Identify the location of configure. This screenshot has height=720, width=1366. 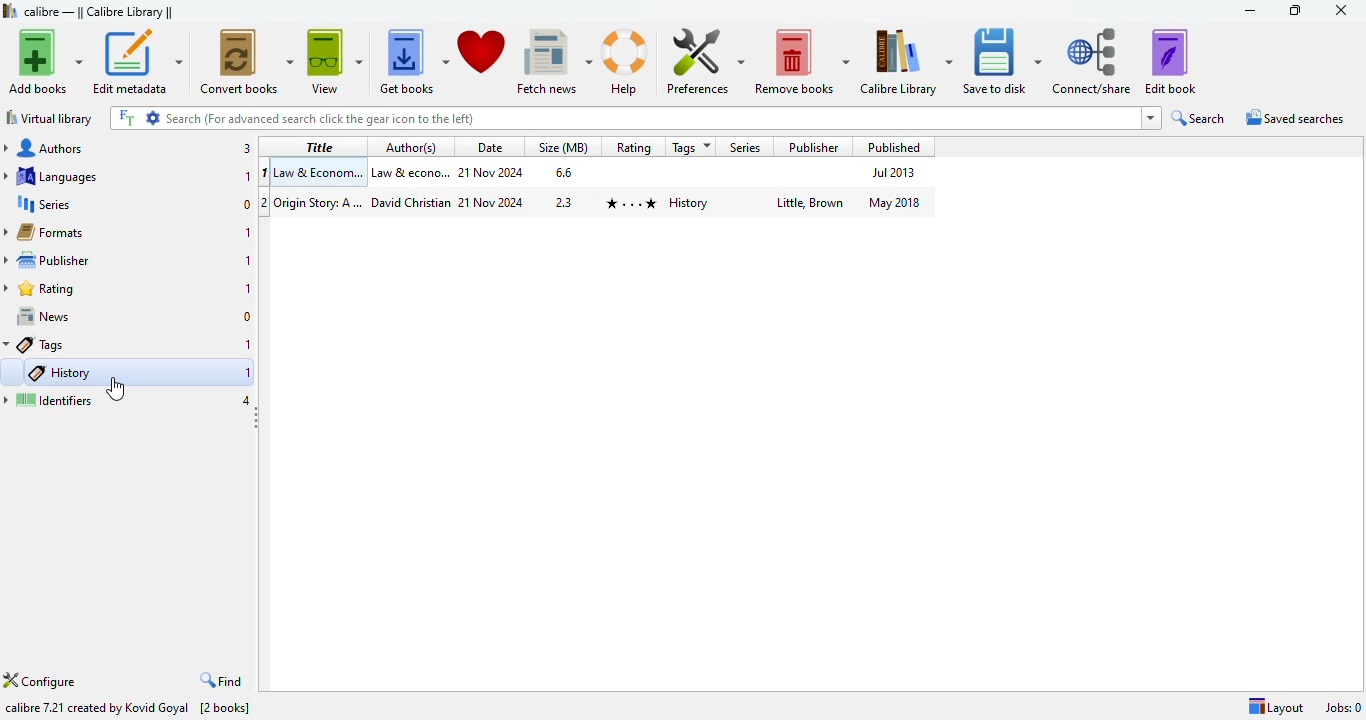
(40, 681).